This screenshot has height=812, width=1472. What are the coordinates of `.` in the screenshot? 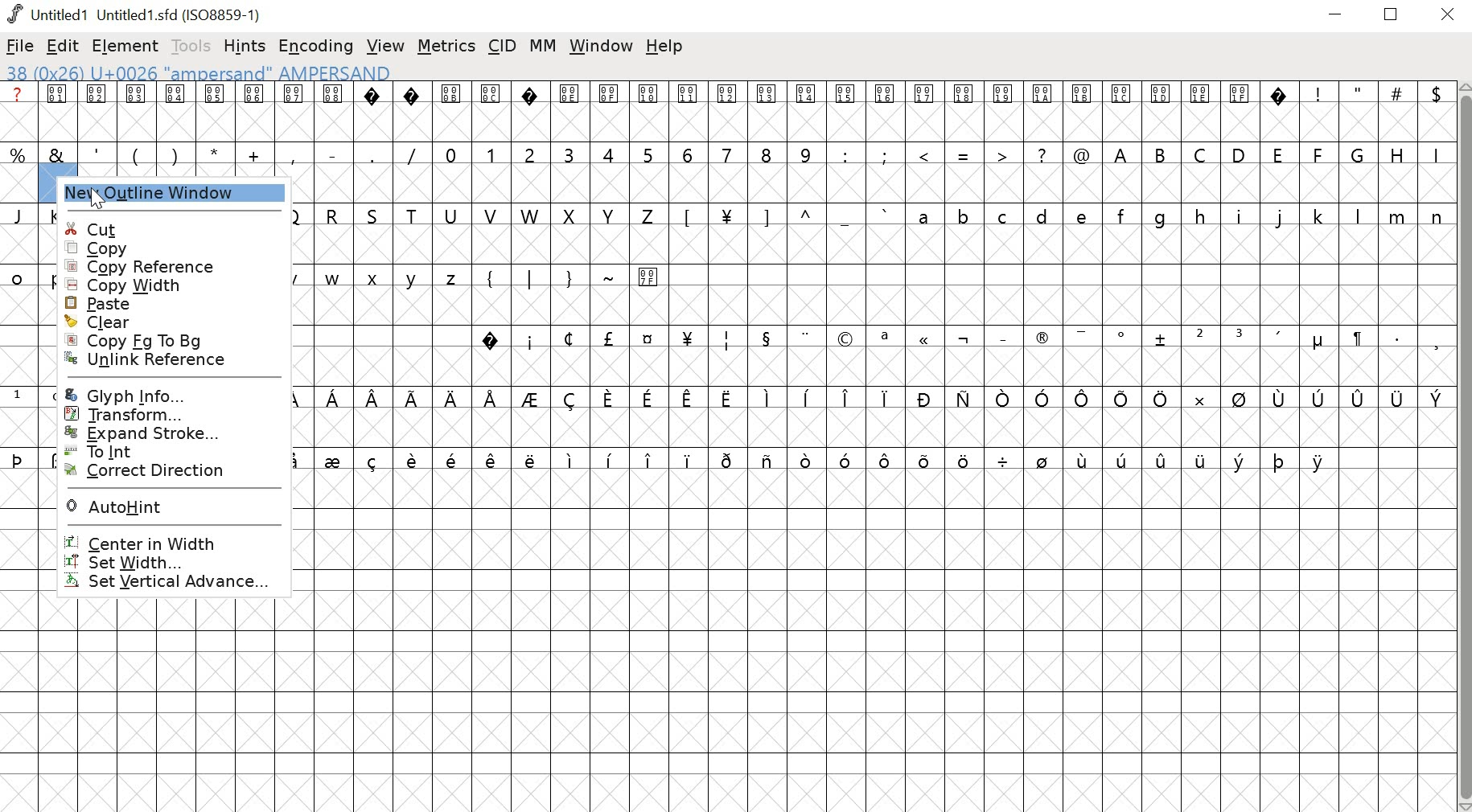 It's located at (1396, 337).